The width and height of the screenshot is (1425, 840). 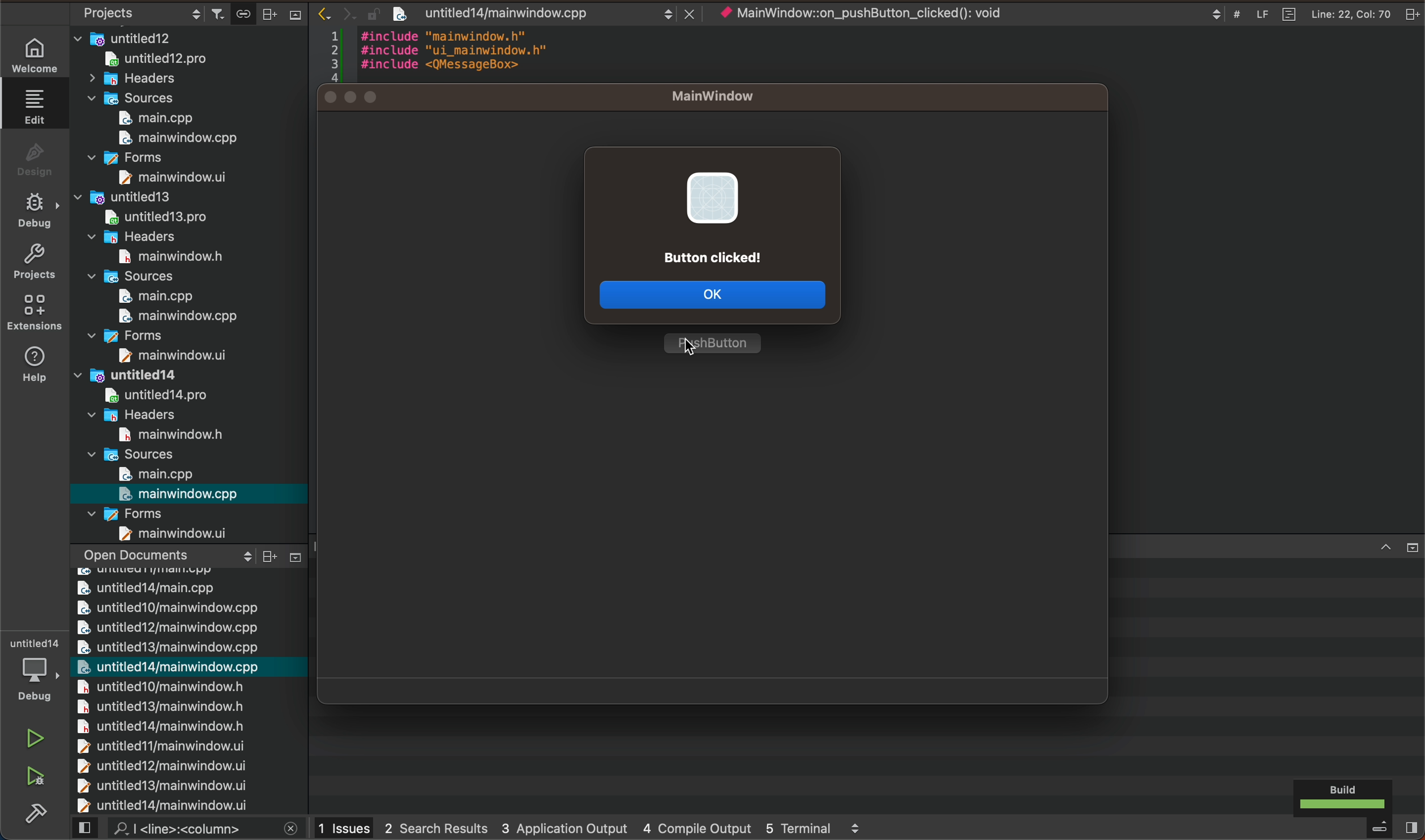 I want to click on main window, so click(x=173, y=316).